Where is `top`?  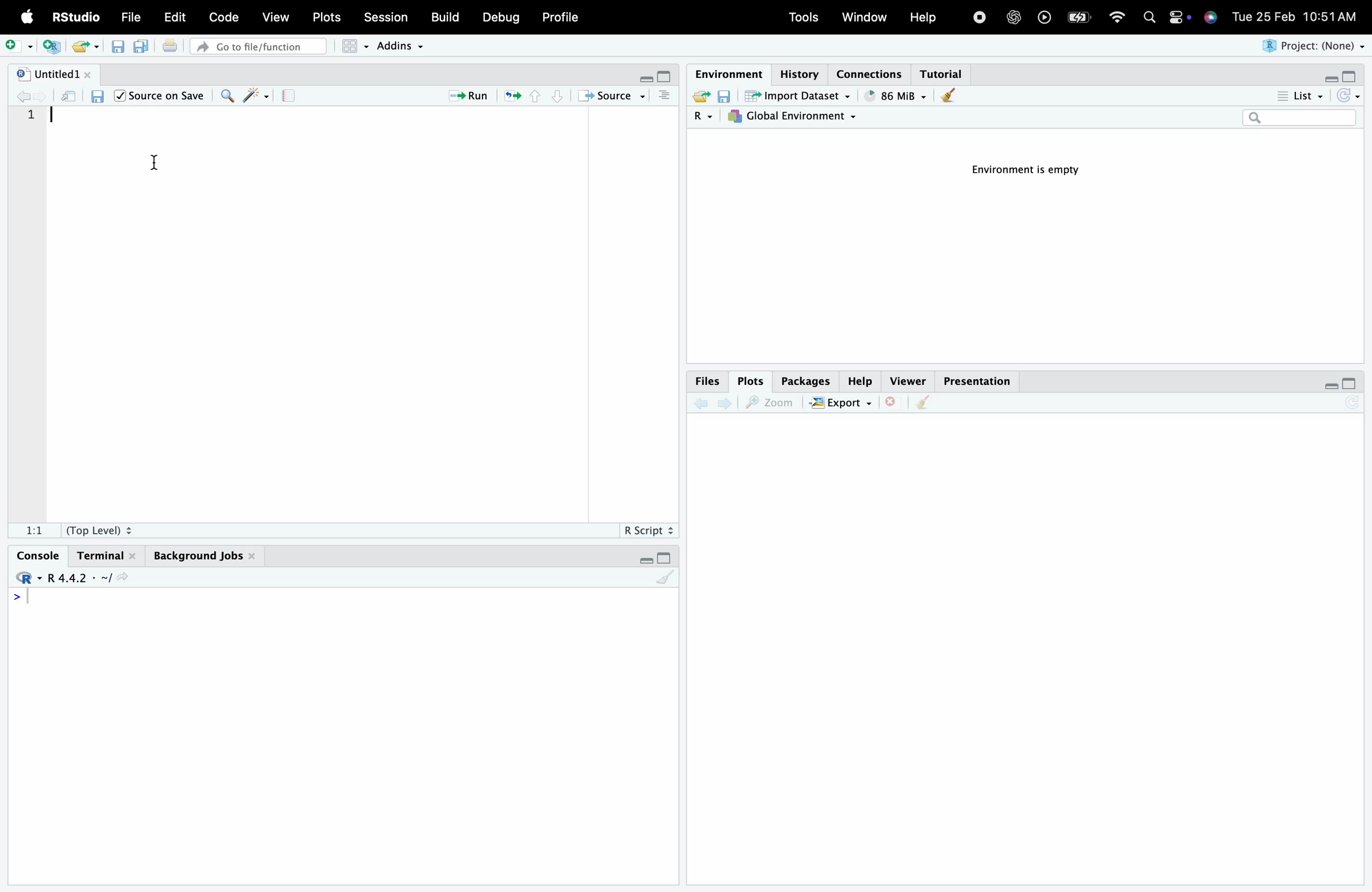
top is located at coordinates (533, 99).